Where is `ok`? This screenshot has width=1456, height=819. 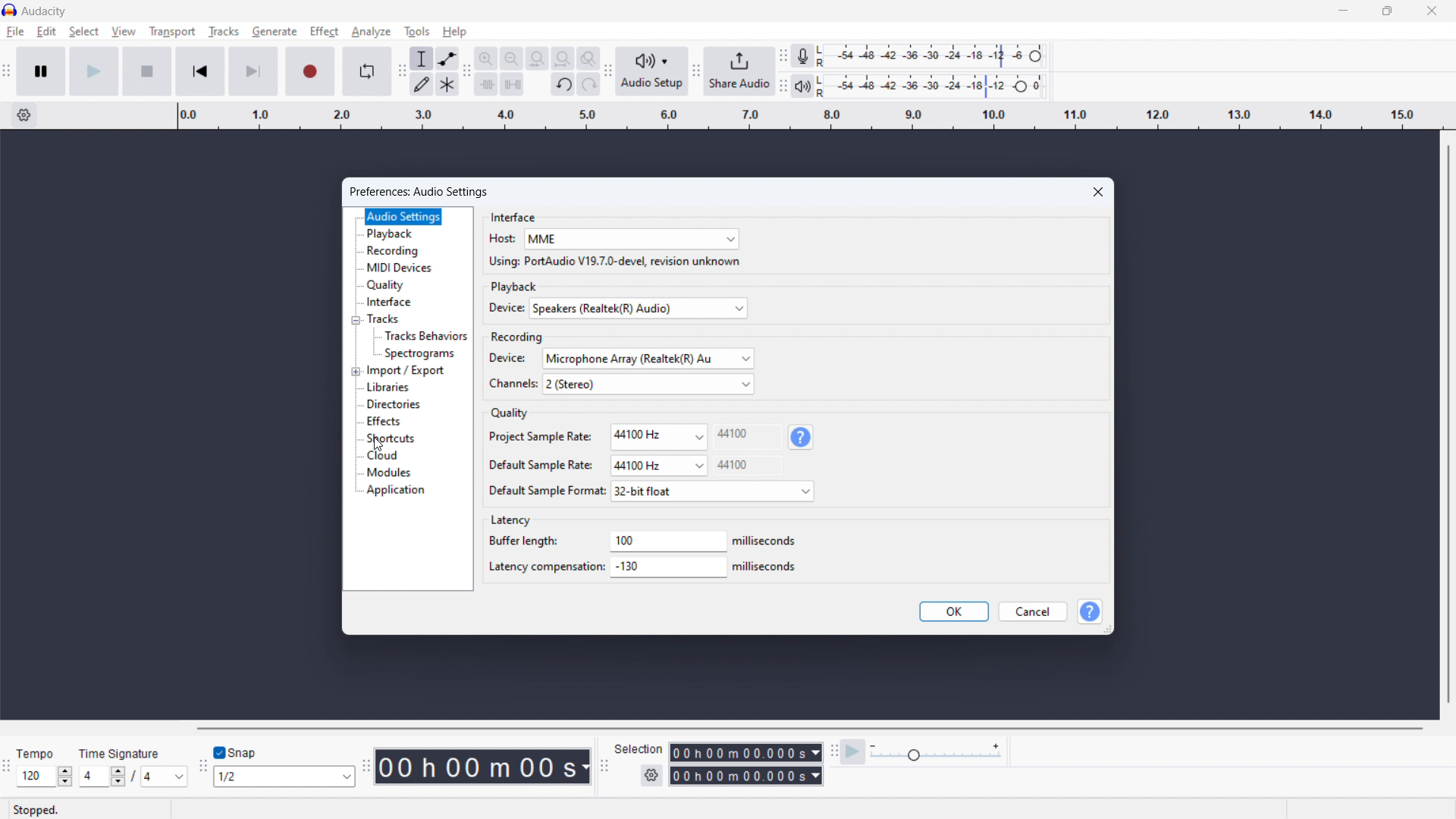
ok is located at coordinates (954, 611).